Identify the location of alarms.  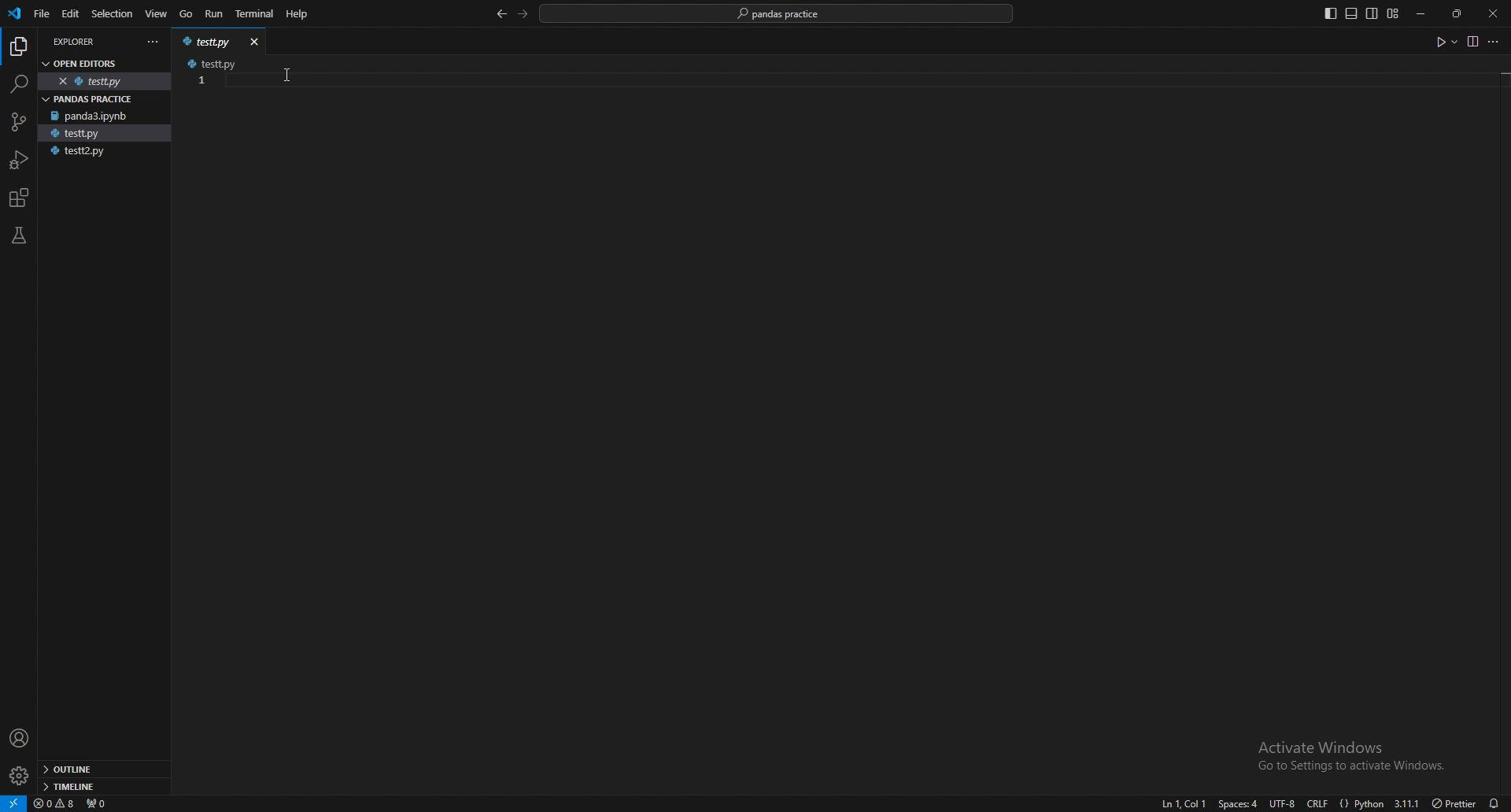
(1494, 803).